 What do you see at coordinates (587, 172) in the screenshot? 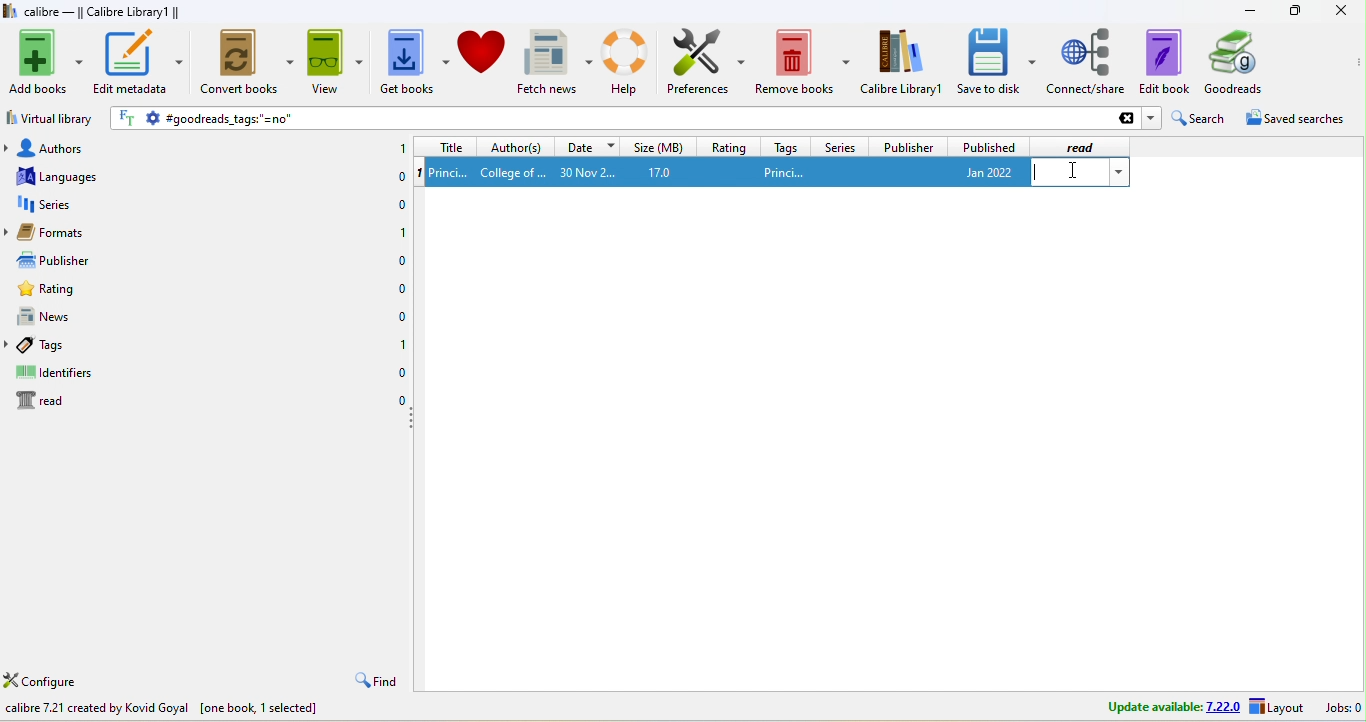
I see `30 nov 2` at bounding box center [587, 172].